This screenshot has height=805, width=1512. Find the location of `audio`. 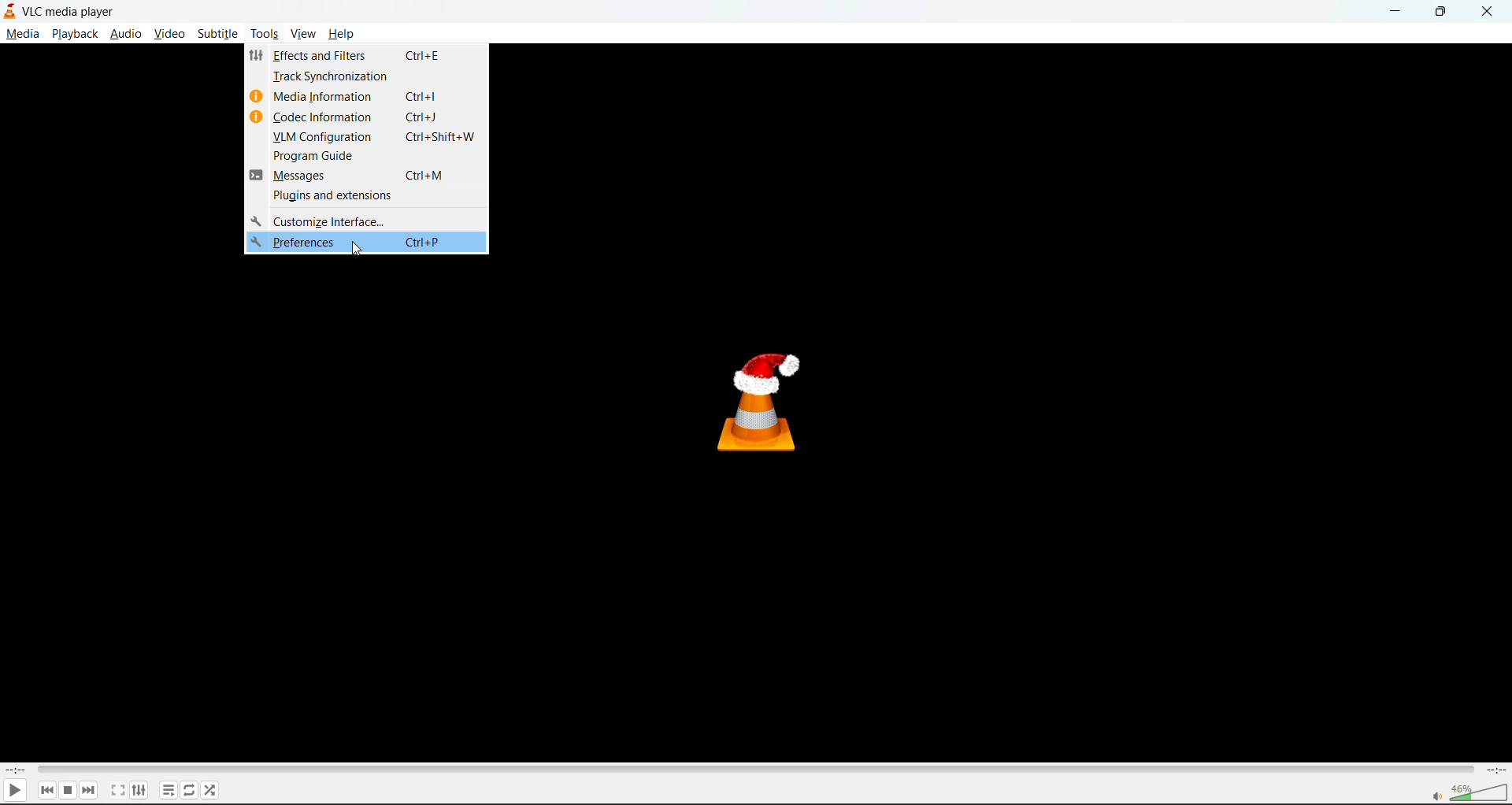

audio is located at coordinates (126, 32).